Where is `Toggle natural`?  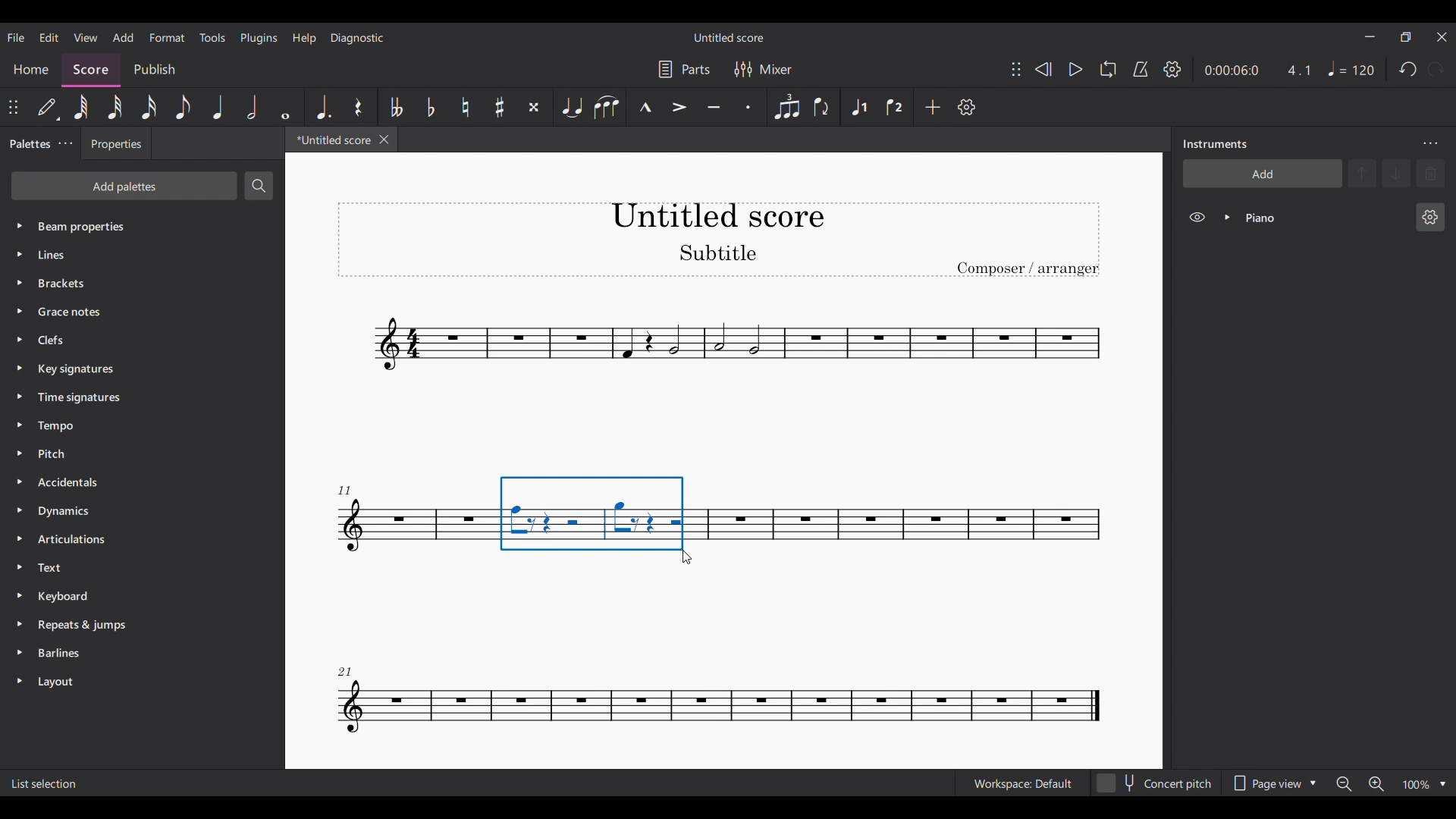
Toggle natural is located at coordinates (465, 107).